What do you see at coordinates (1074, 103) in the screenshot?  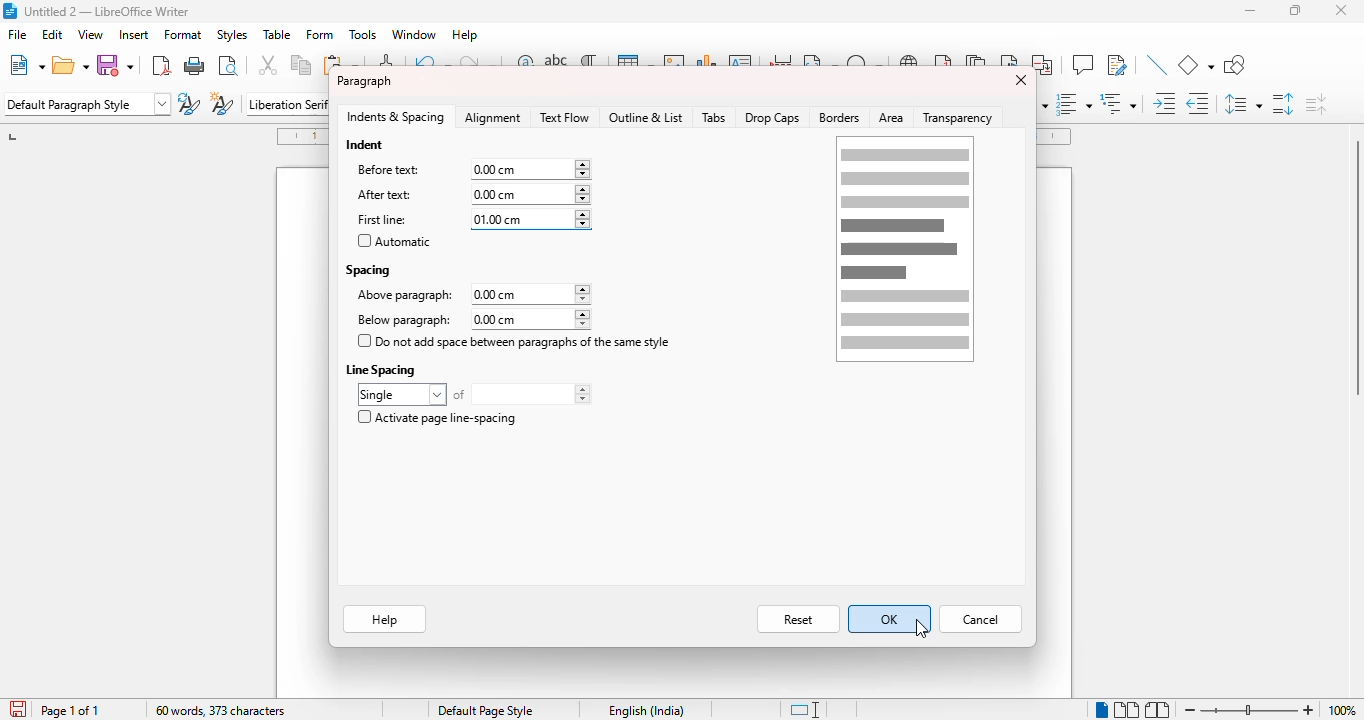 I see `toggle ordered list` at bounding box center [1074, 103].